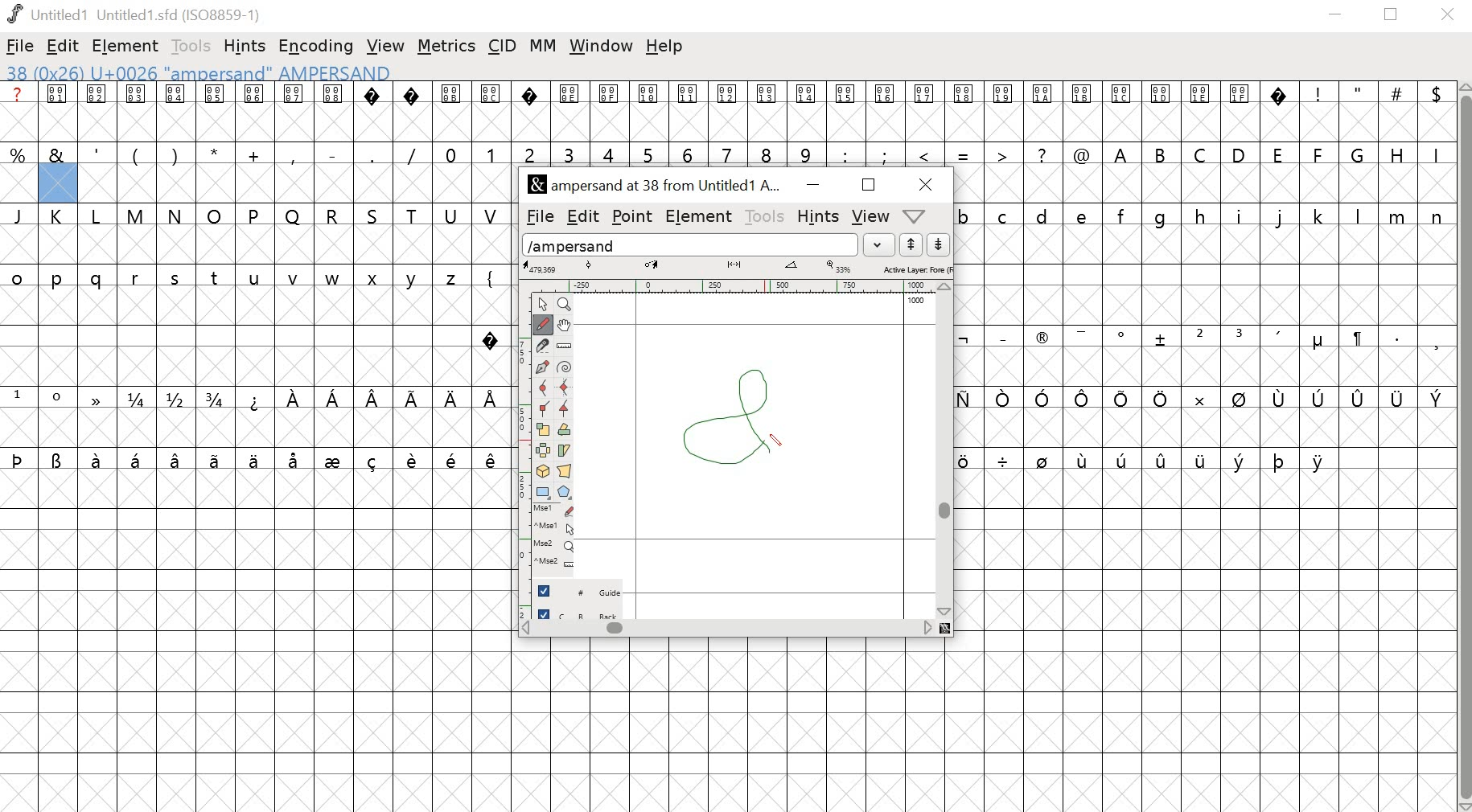 The height and width of the screenshot is (812, 1472). I want to click on C, so click(1203, 154).